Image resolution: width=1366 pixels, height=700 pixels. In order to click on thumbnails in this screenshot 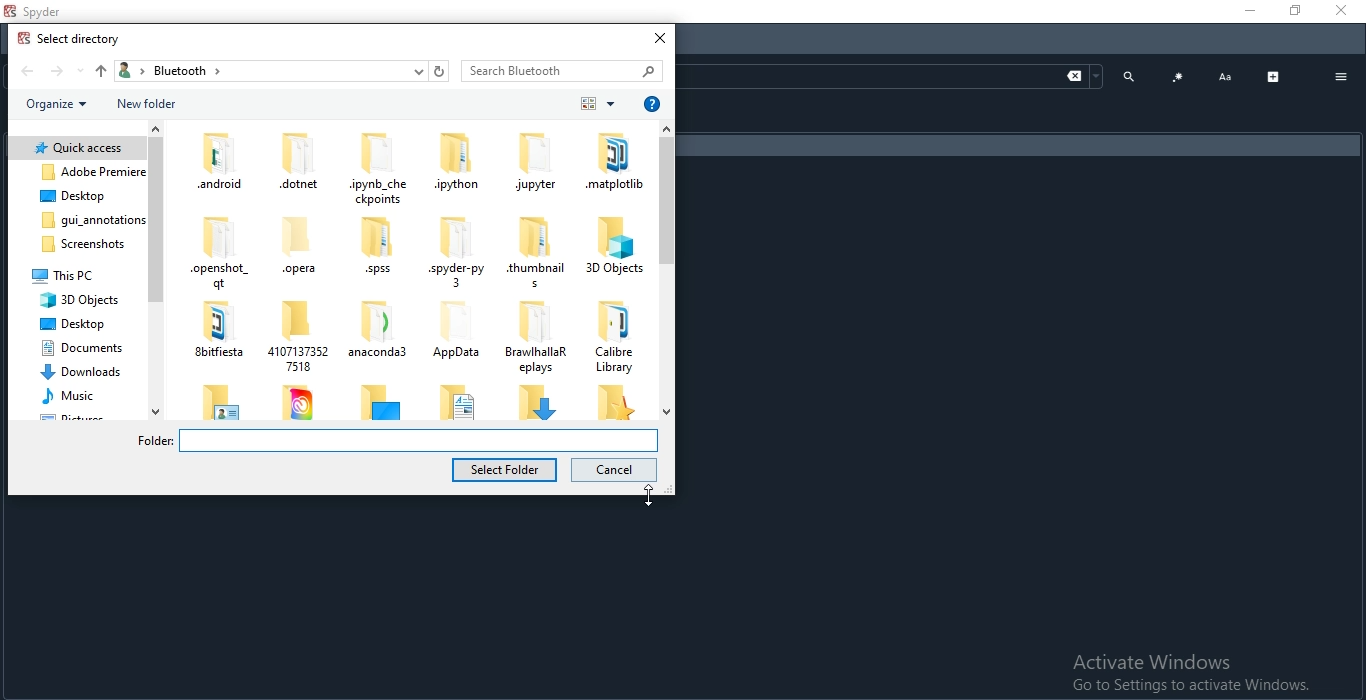, I will do `click(533, 254)`.